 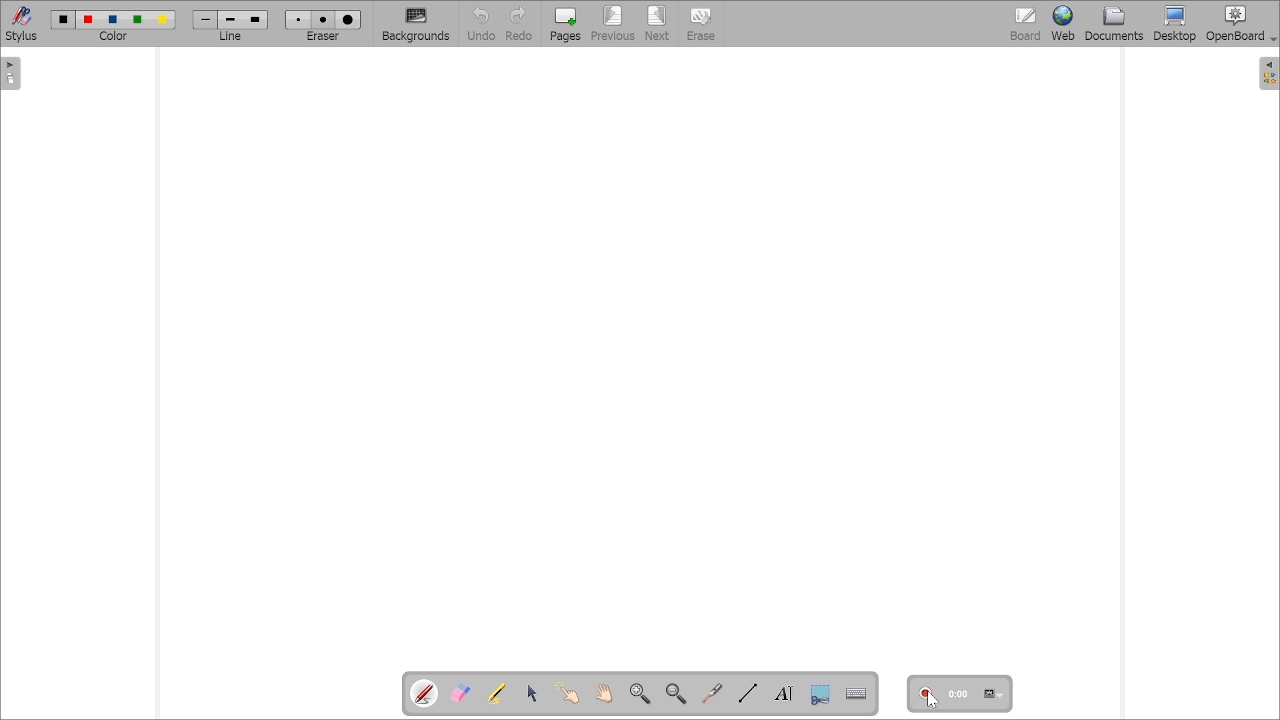 What do you see at coordinates (63, 19) in the screenshot?
I see `Color1` at bounding box center [63, 19].